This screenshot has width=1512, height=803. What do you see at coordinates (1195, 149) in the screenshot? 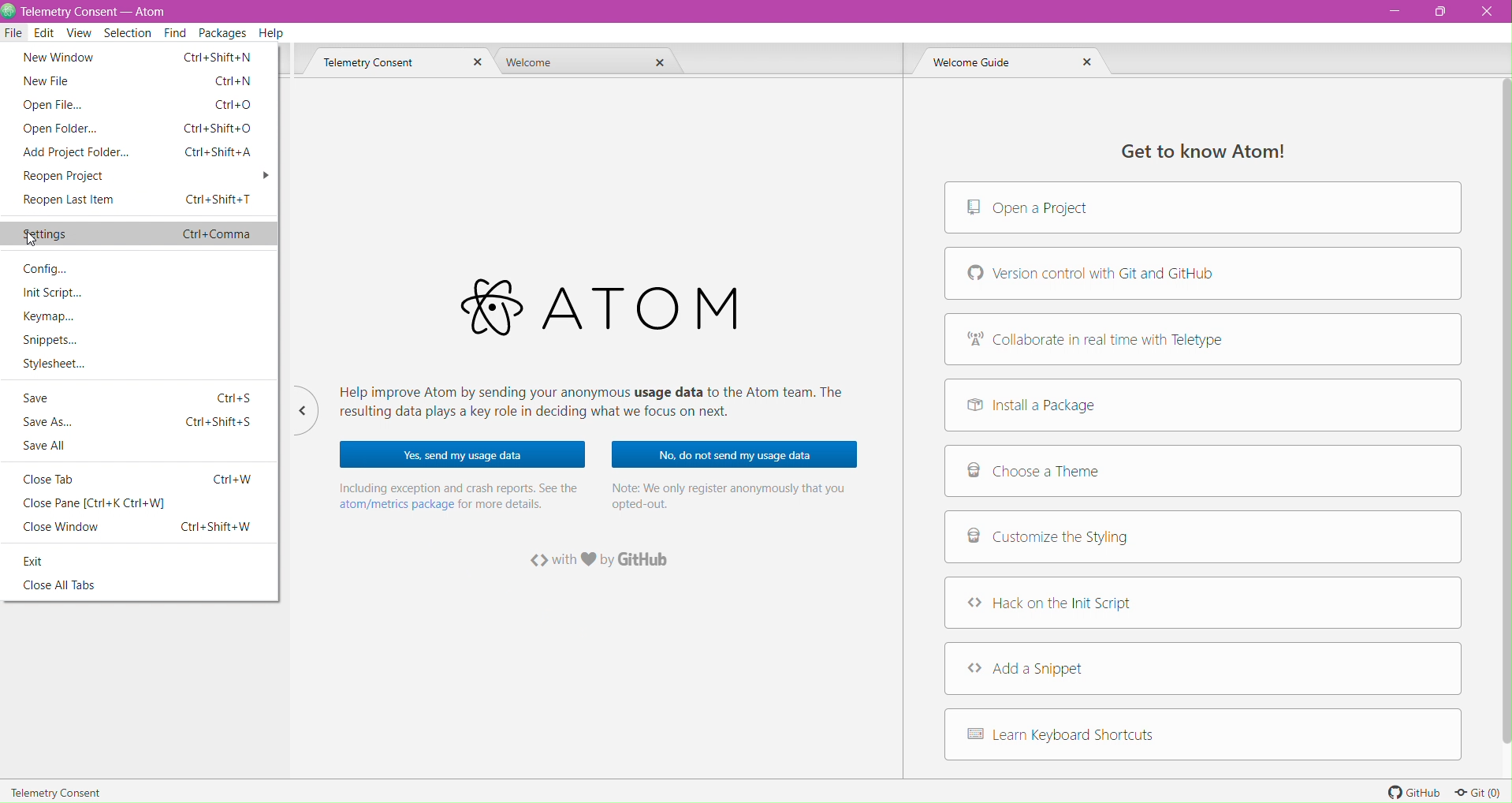
I see `Get to know Atom` at bounding box center [1195, 149].